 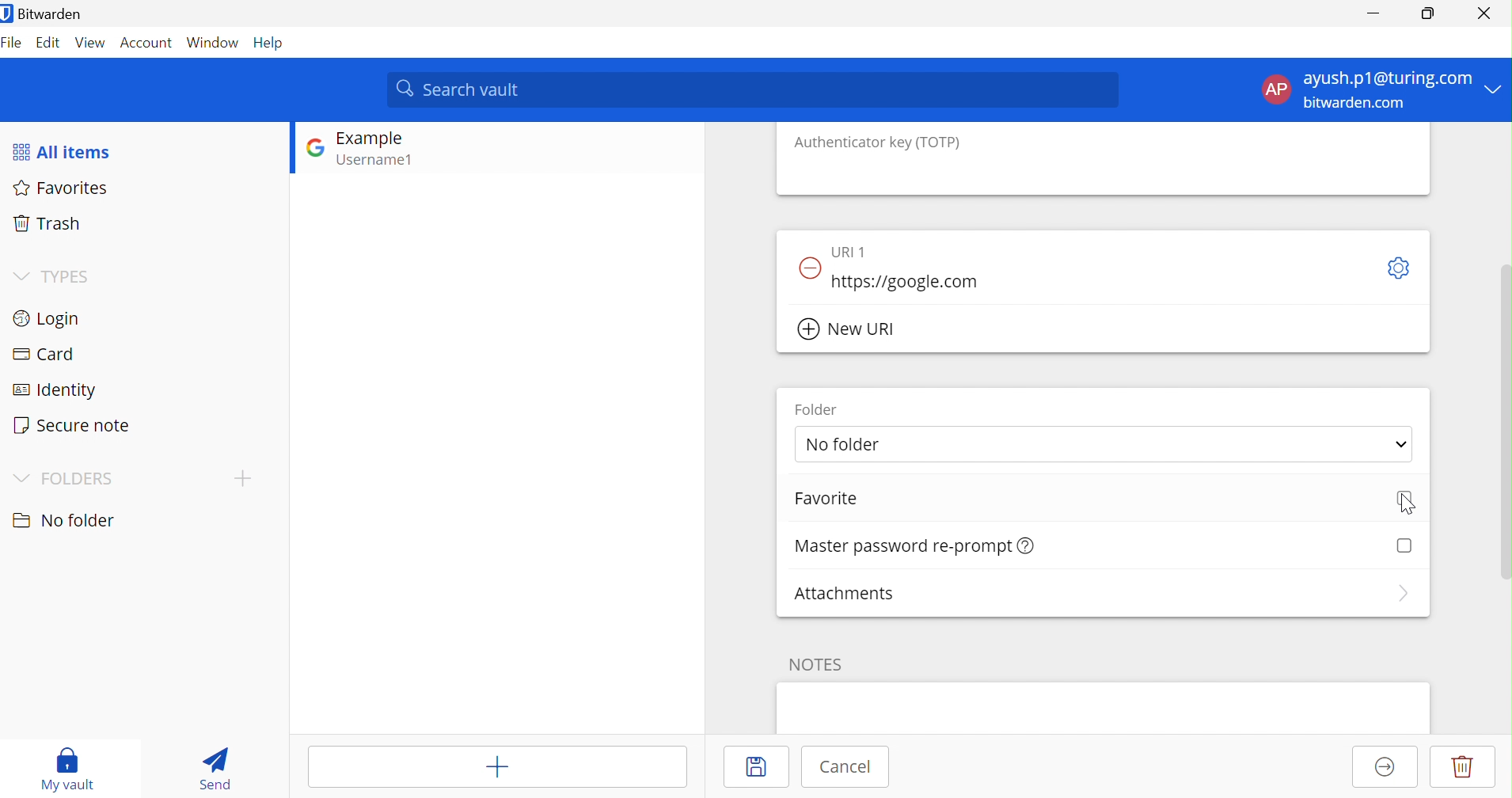 I want to click on No folder, so click(x=62, y=520).